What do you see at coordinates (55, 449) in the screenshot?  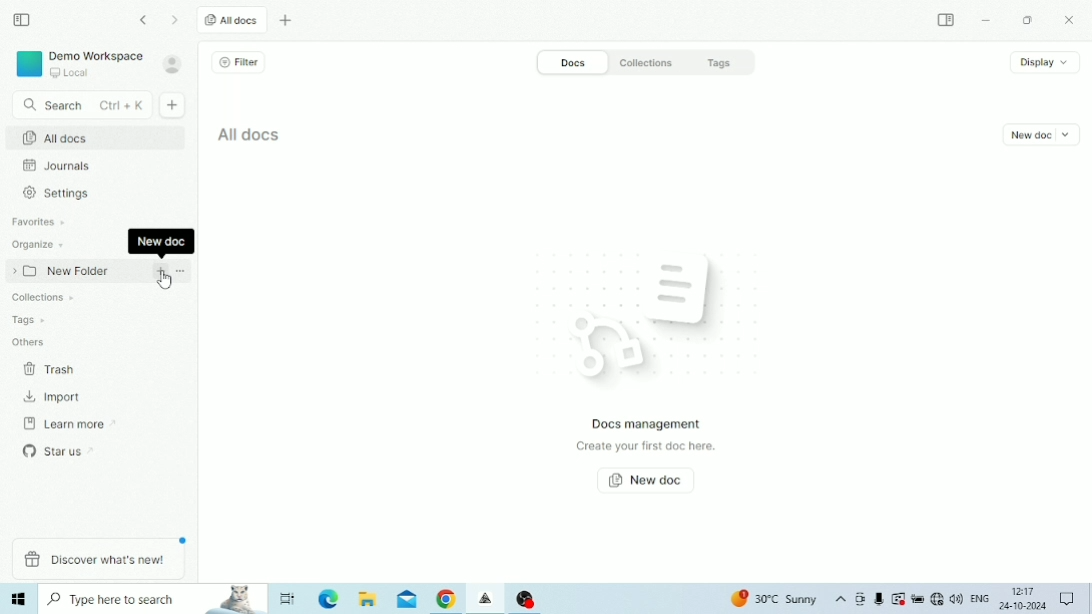 I see `Star us` at bounding box center [55, 449].